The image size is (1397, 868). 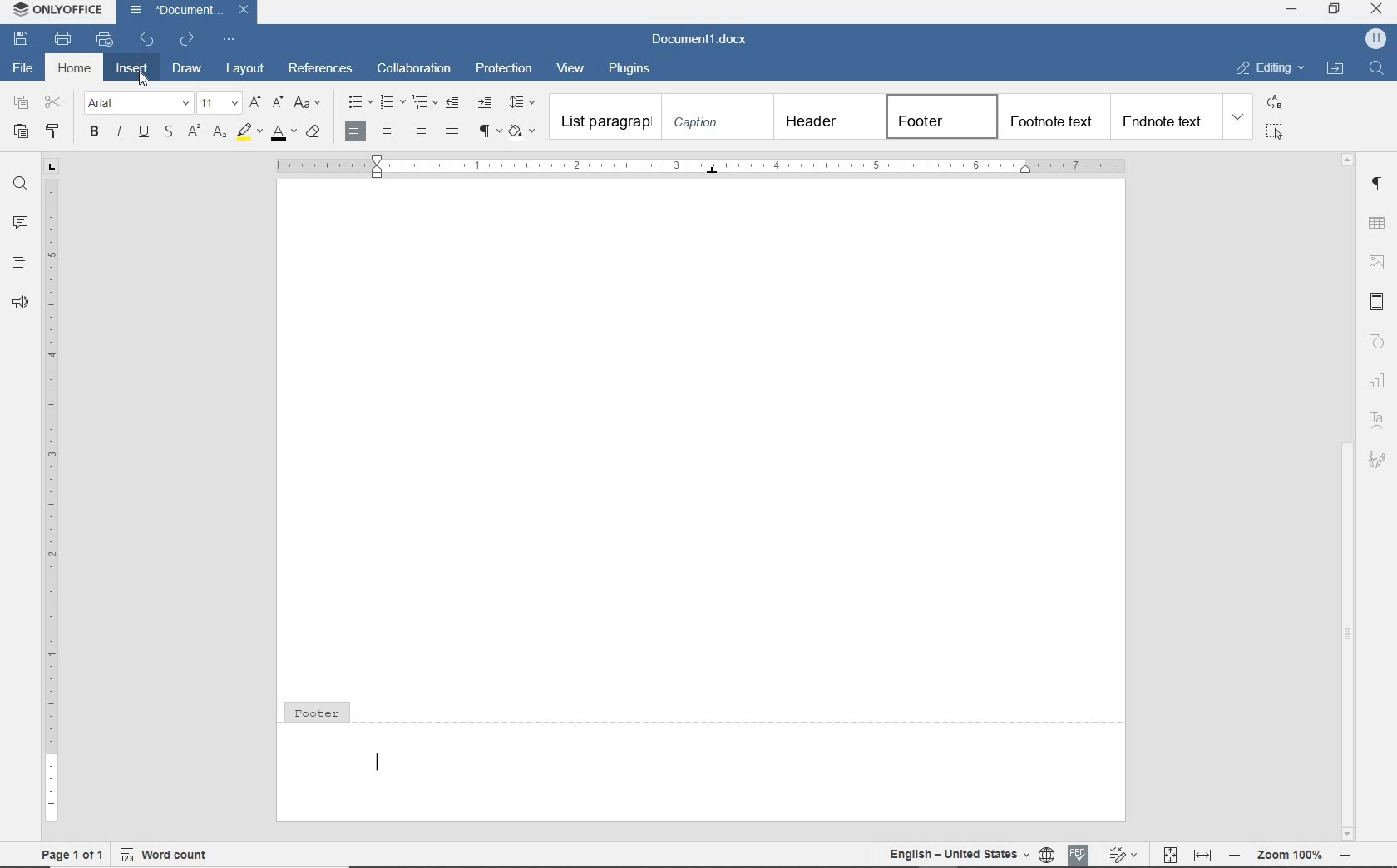 I want to click on open file location, so click(x=1337, y=68).